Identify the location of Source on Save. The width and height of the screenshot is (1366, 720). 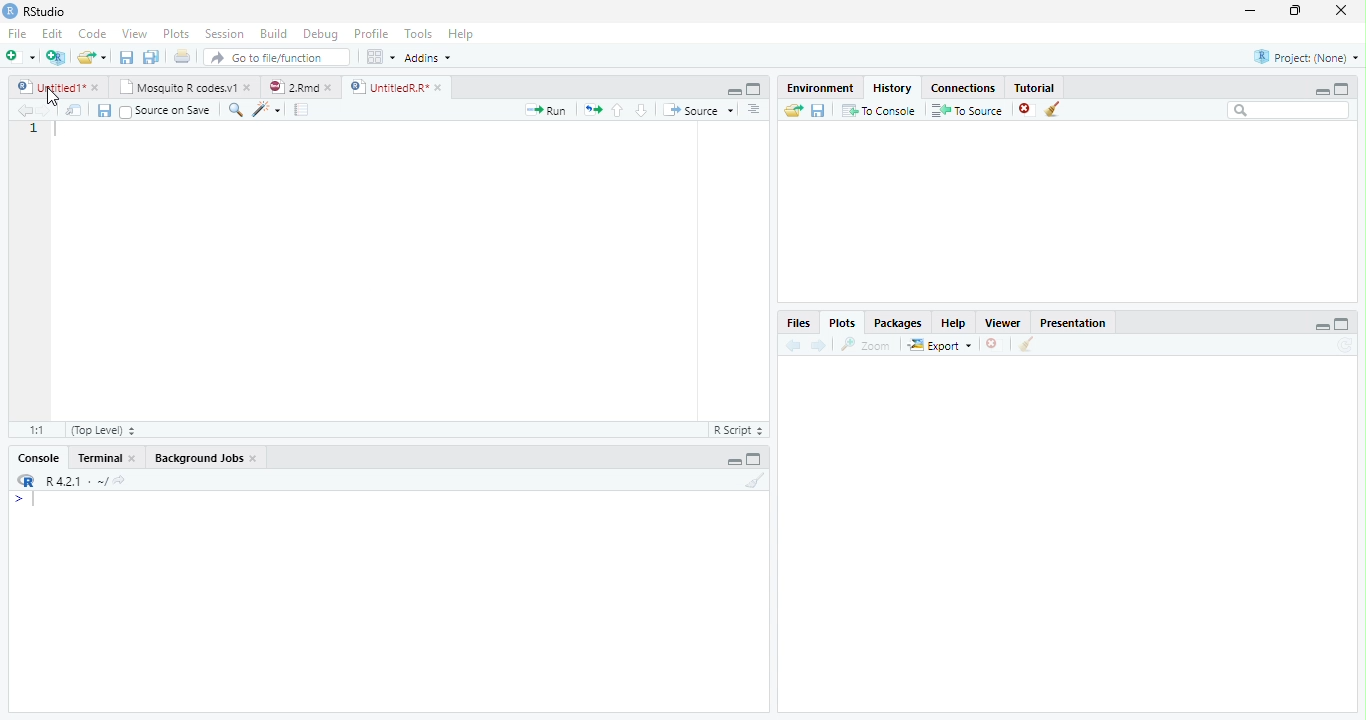
(163, 111).